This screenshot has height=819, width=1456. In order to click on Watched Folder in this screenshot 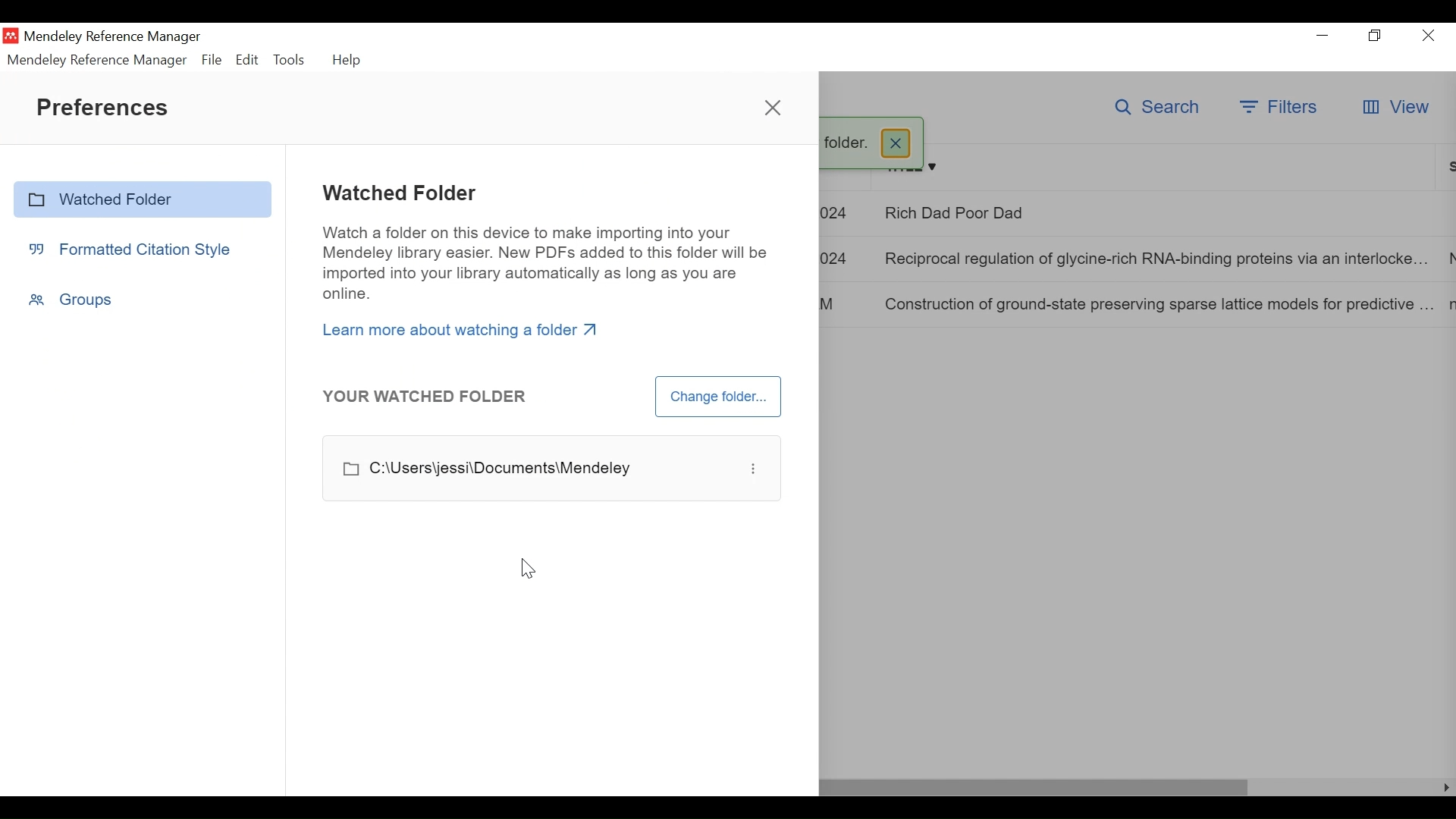, I will do `click(140, 199)`.